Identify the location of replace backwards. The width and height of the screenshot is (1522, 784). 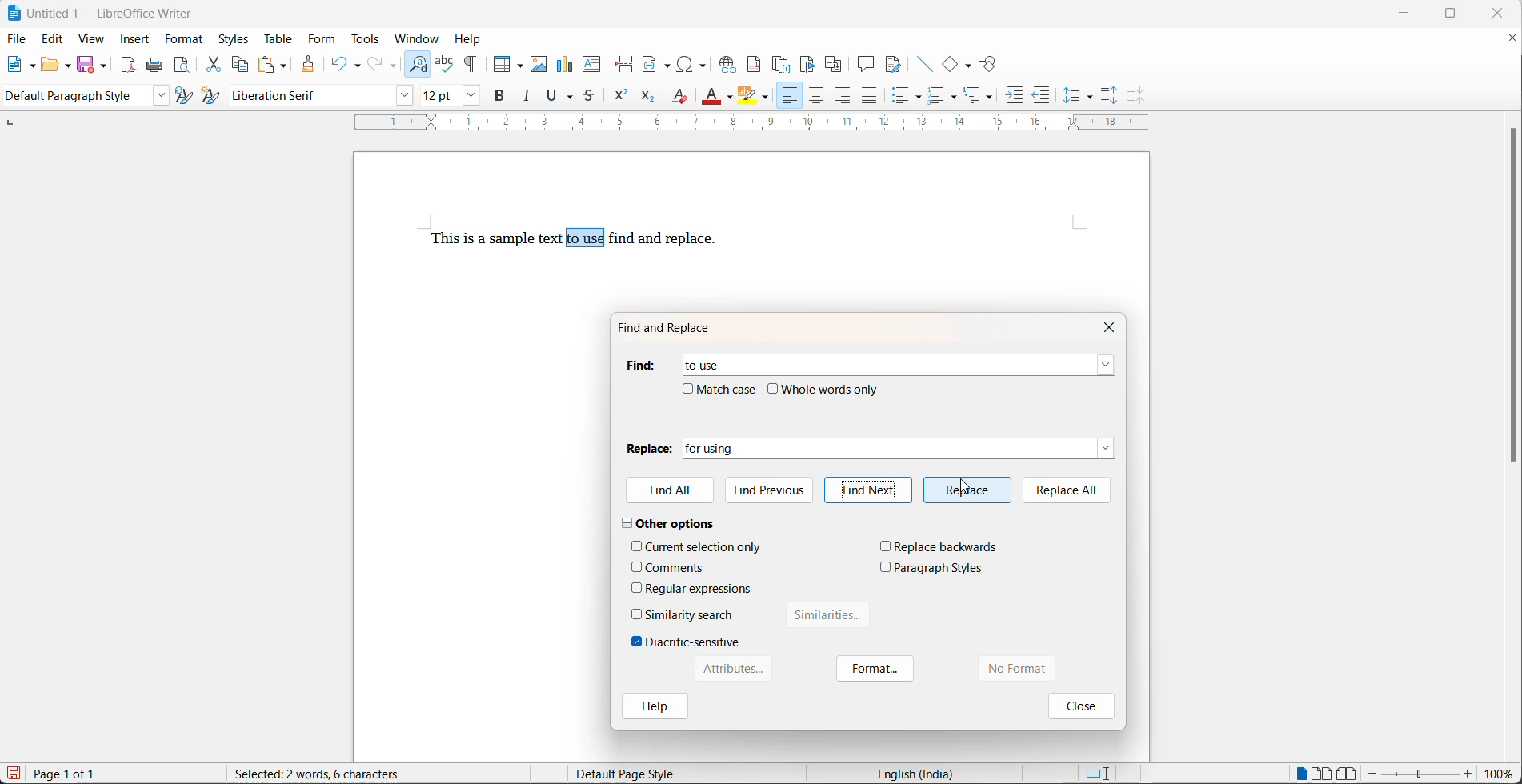
(947, 546).